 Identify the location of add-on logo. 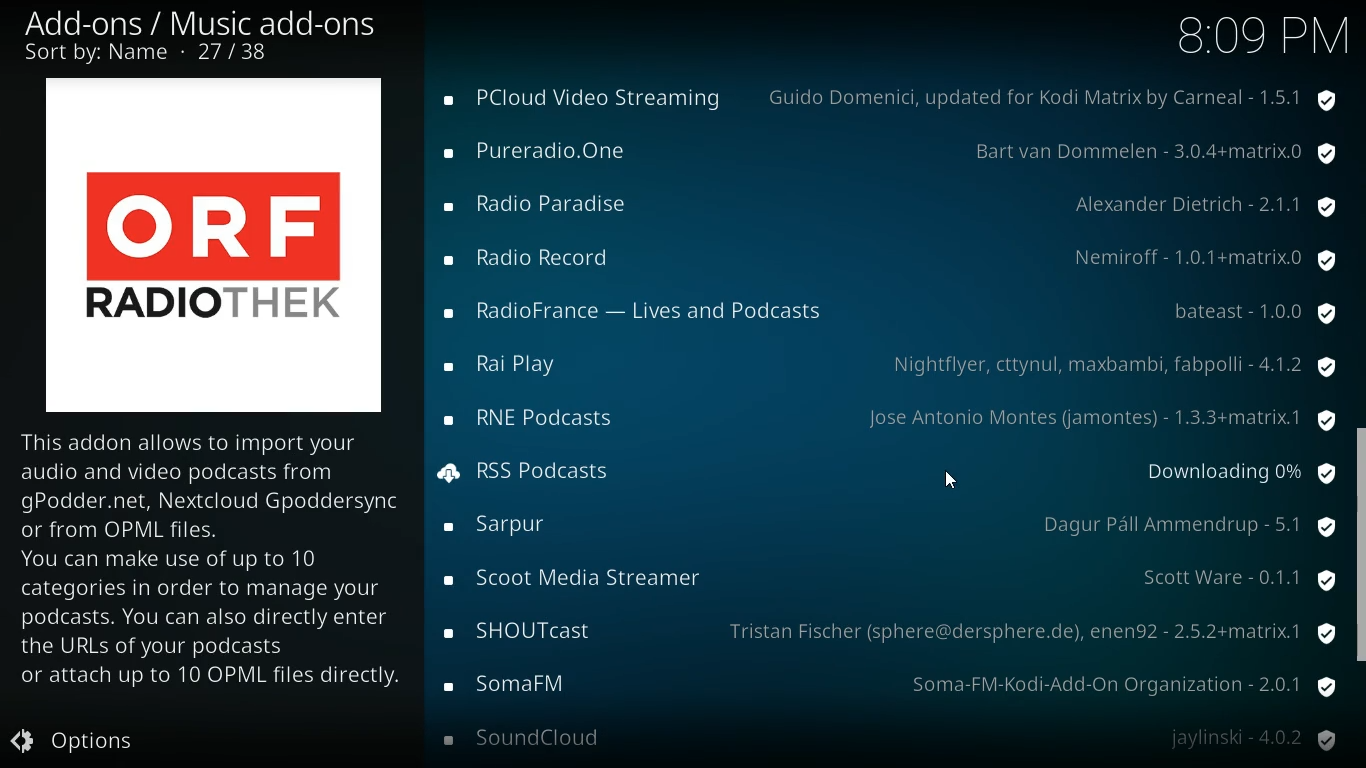
(206, 244).